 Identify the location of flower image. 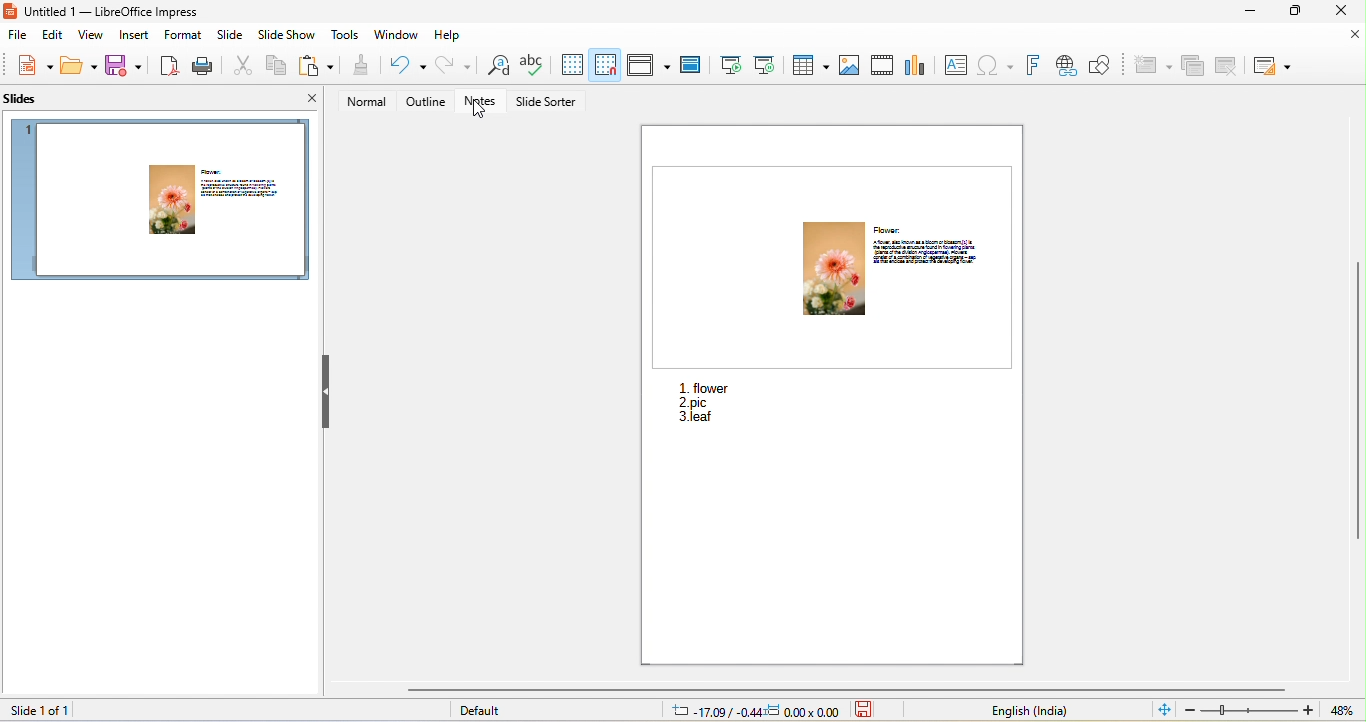
(831, 268).